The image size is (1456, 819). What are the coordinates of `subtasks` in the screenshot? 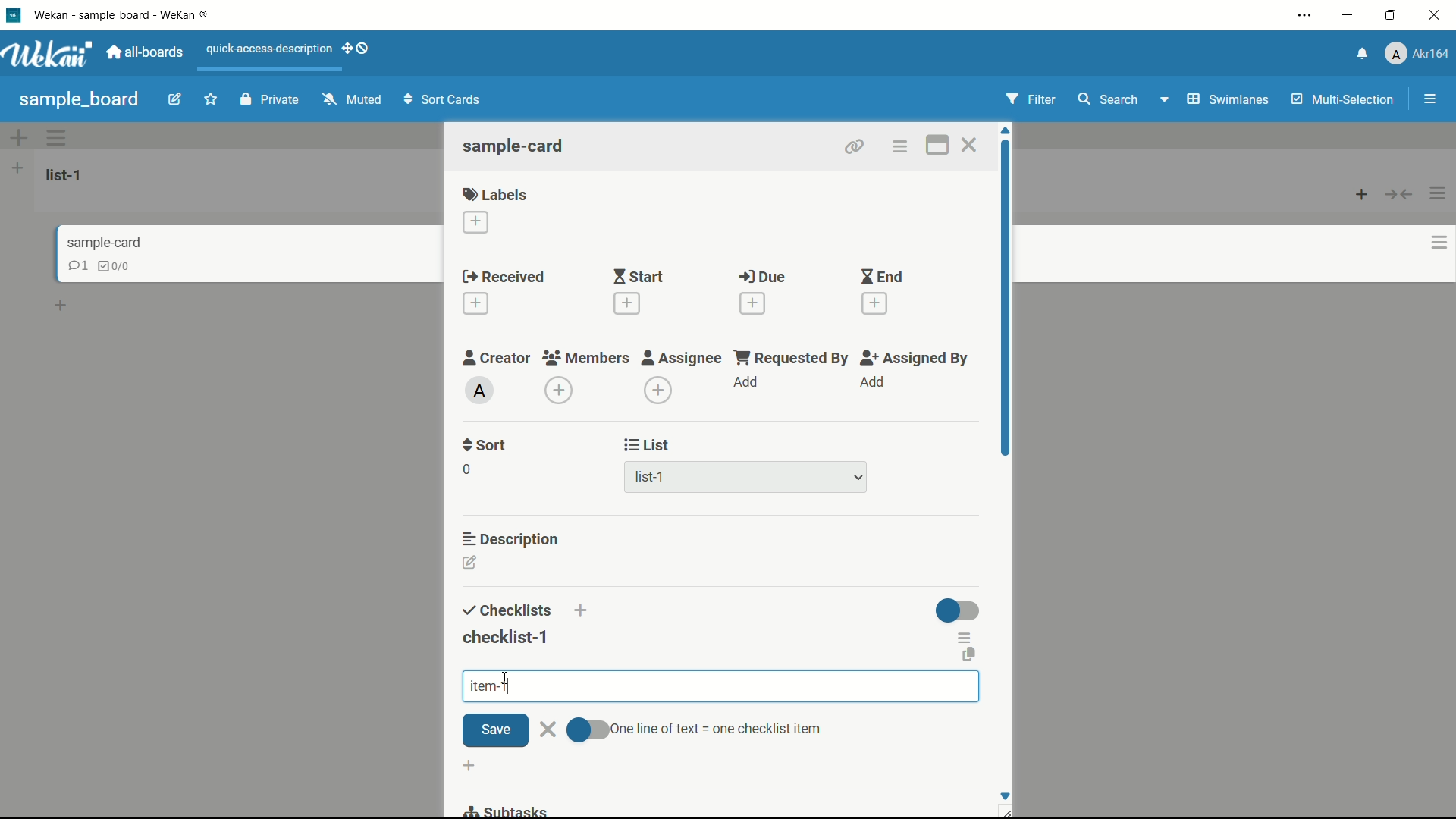 It's located at (518, 808).